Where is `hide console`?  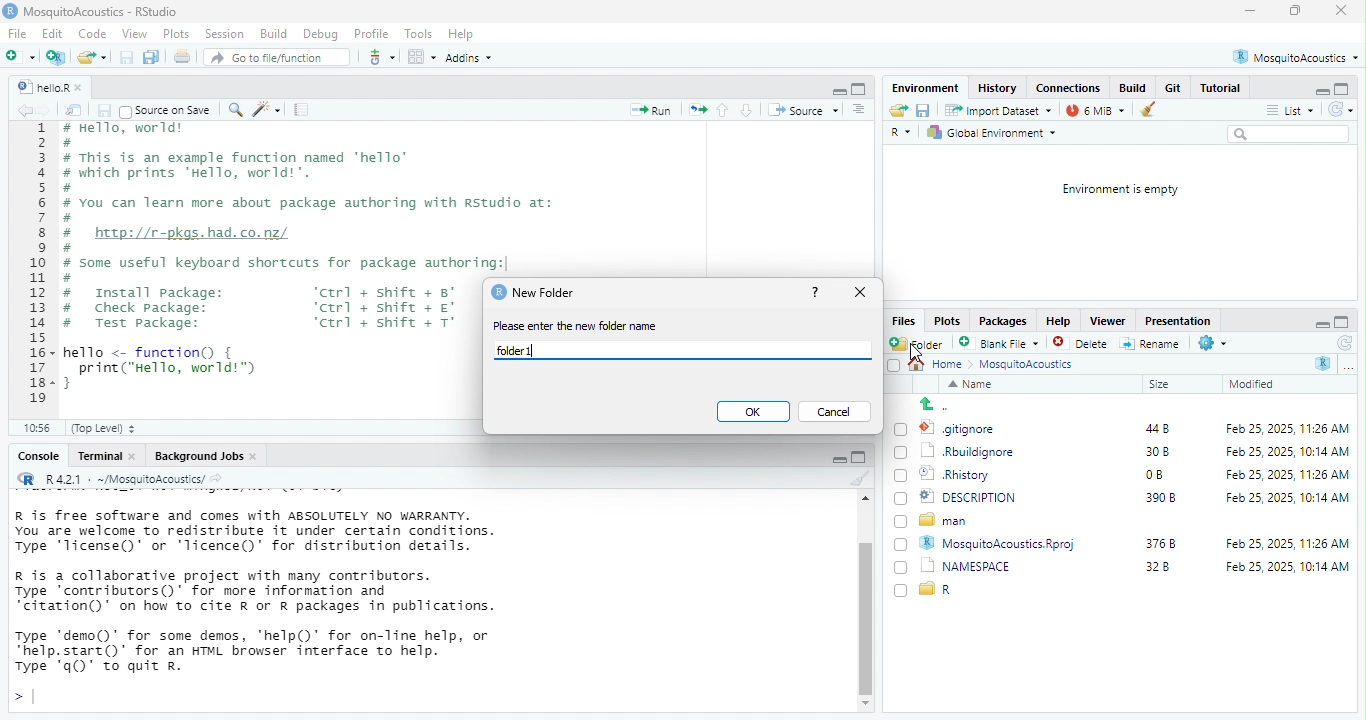 hide console is located at coordinates (1344, 320).